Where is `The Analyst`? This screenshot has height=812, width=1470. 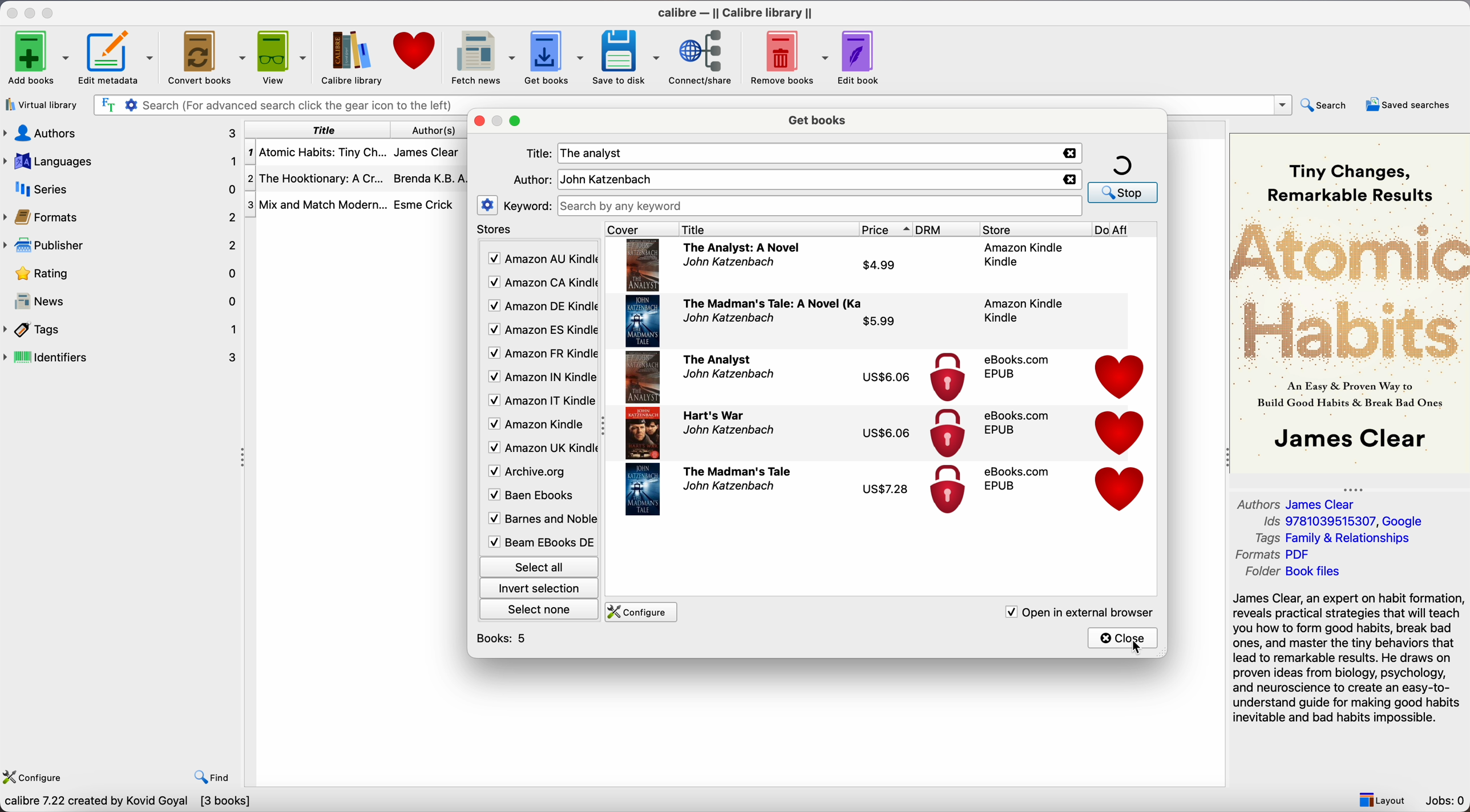 The Analyst is located at coordinates (717, 359).